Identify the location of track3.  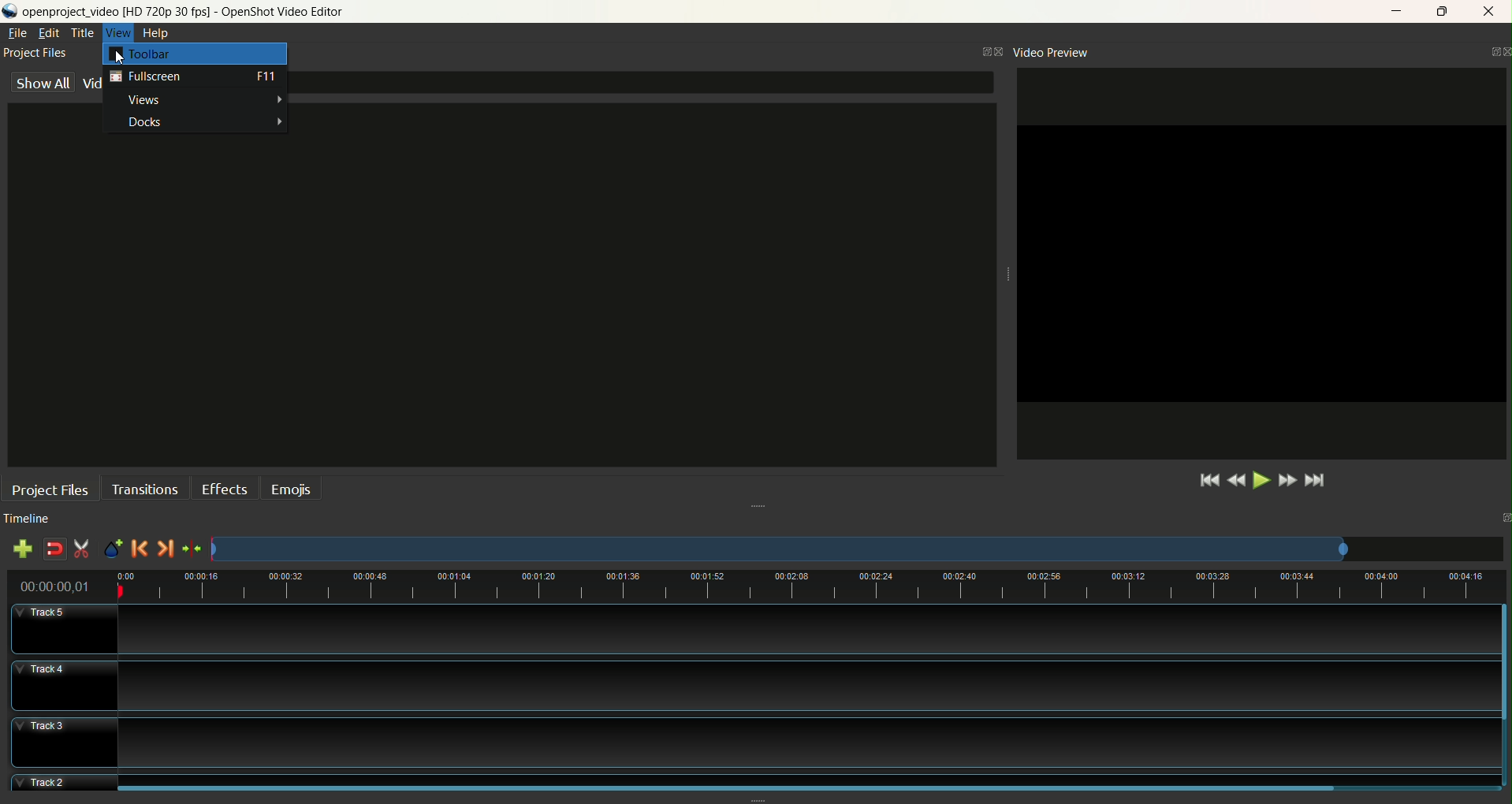
(758, 739).